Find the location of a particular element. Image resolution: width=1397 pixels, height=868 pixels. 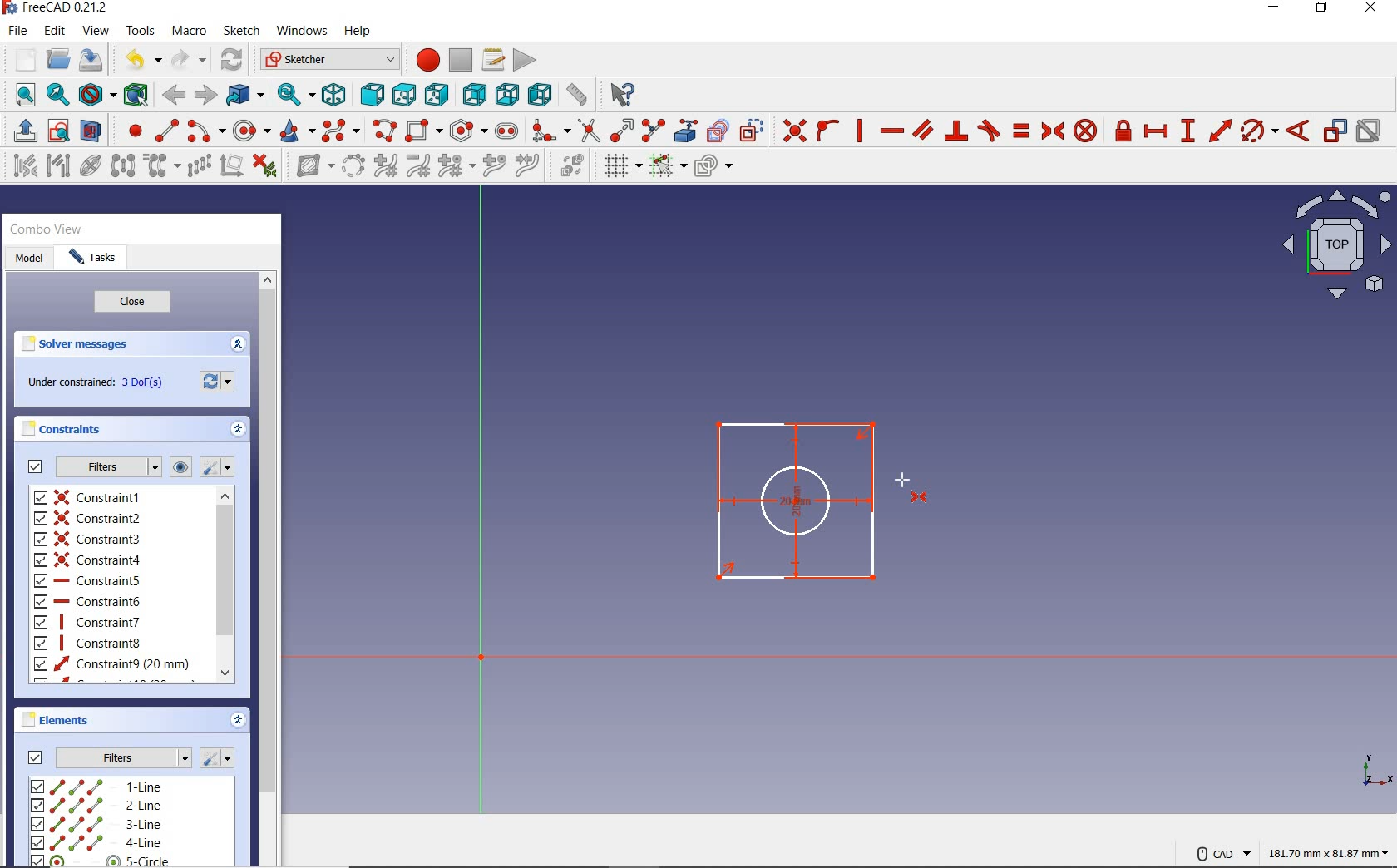

new is located at coordinates (22, 60).